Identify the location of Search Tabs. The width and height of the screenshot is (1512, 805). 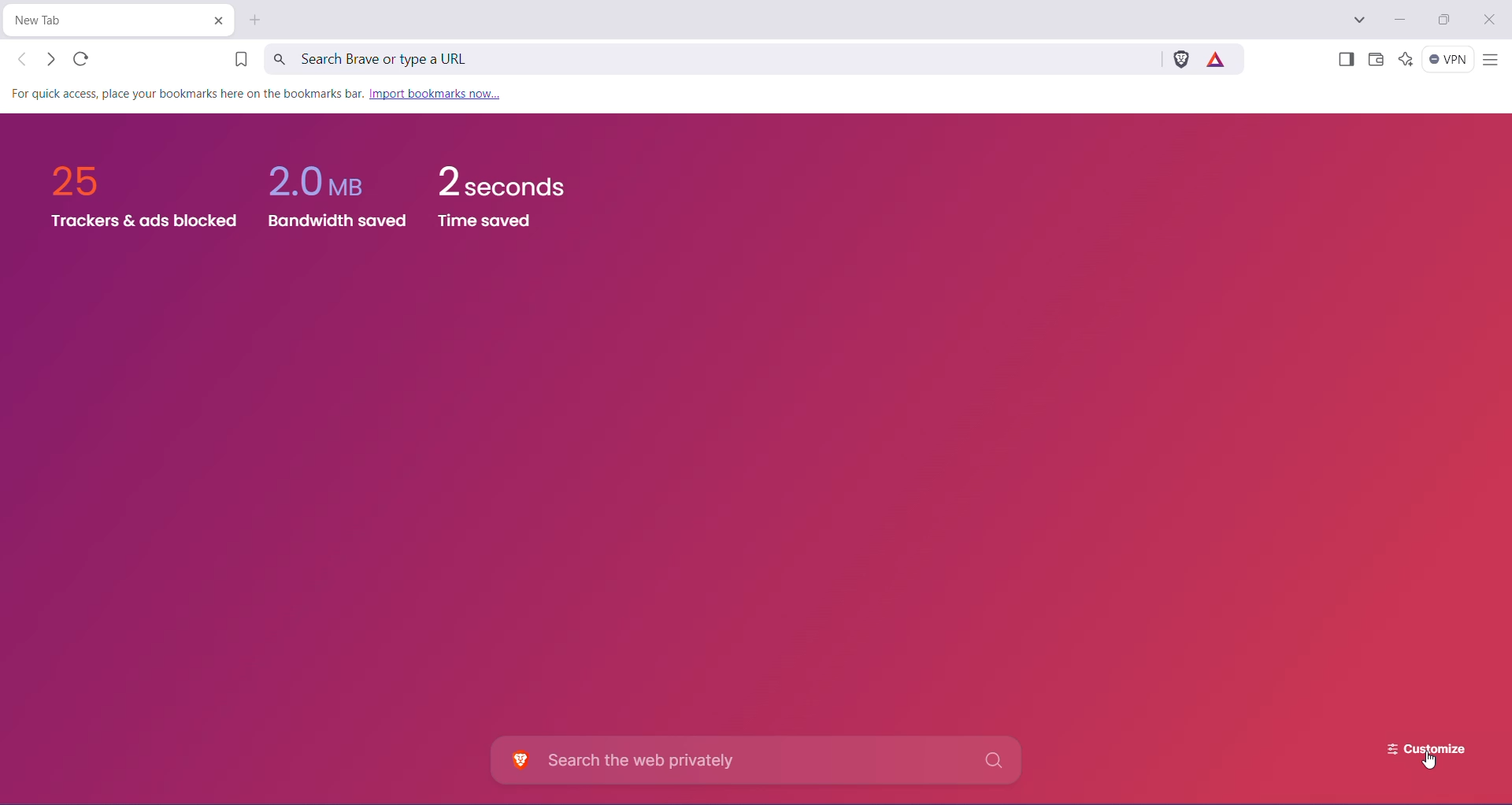
(1360, 20).